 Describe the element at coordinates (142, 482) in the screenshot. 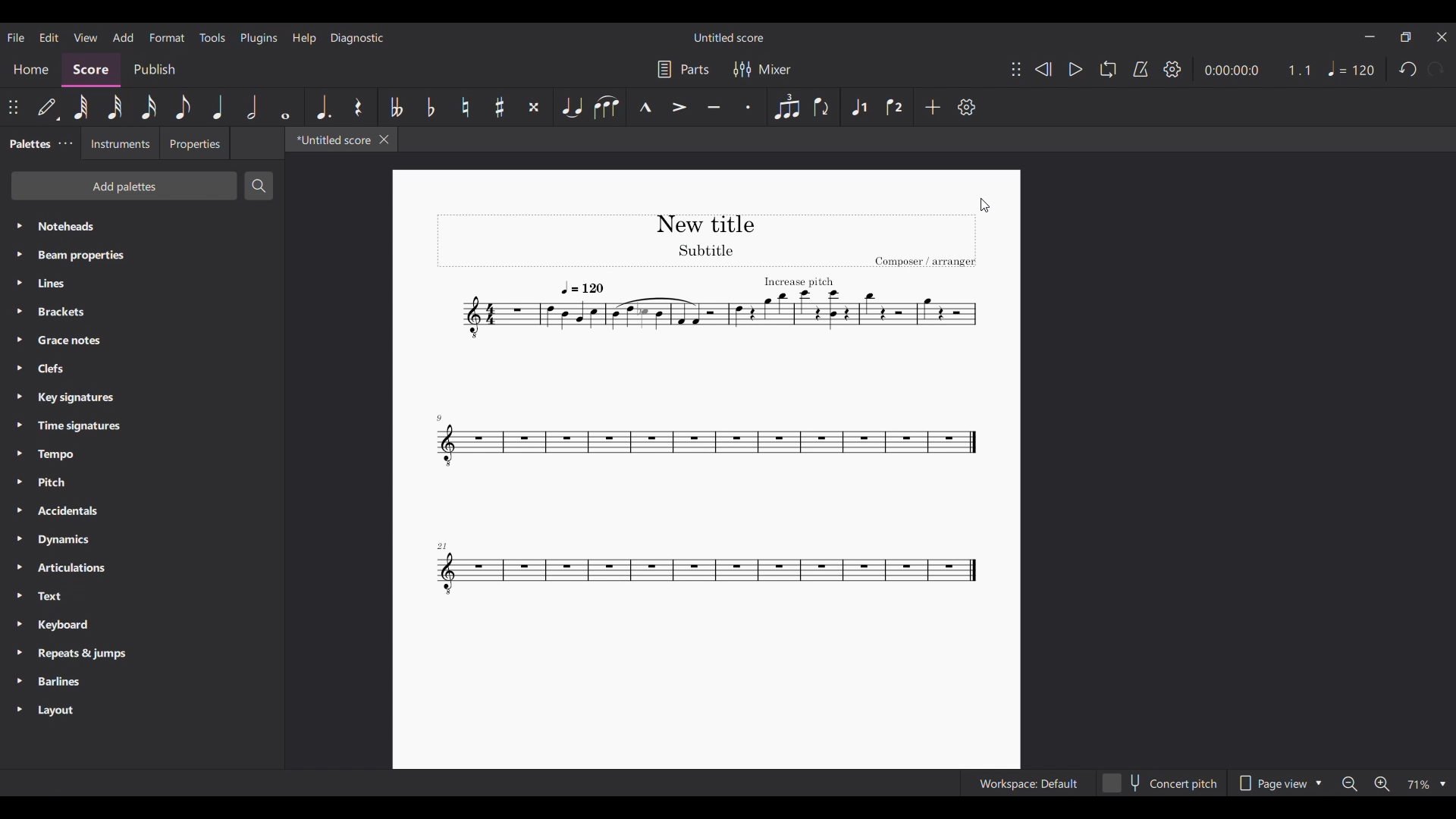

I see `Pitch` at that location.